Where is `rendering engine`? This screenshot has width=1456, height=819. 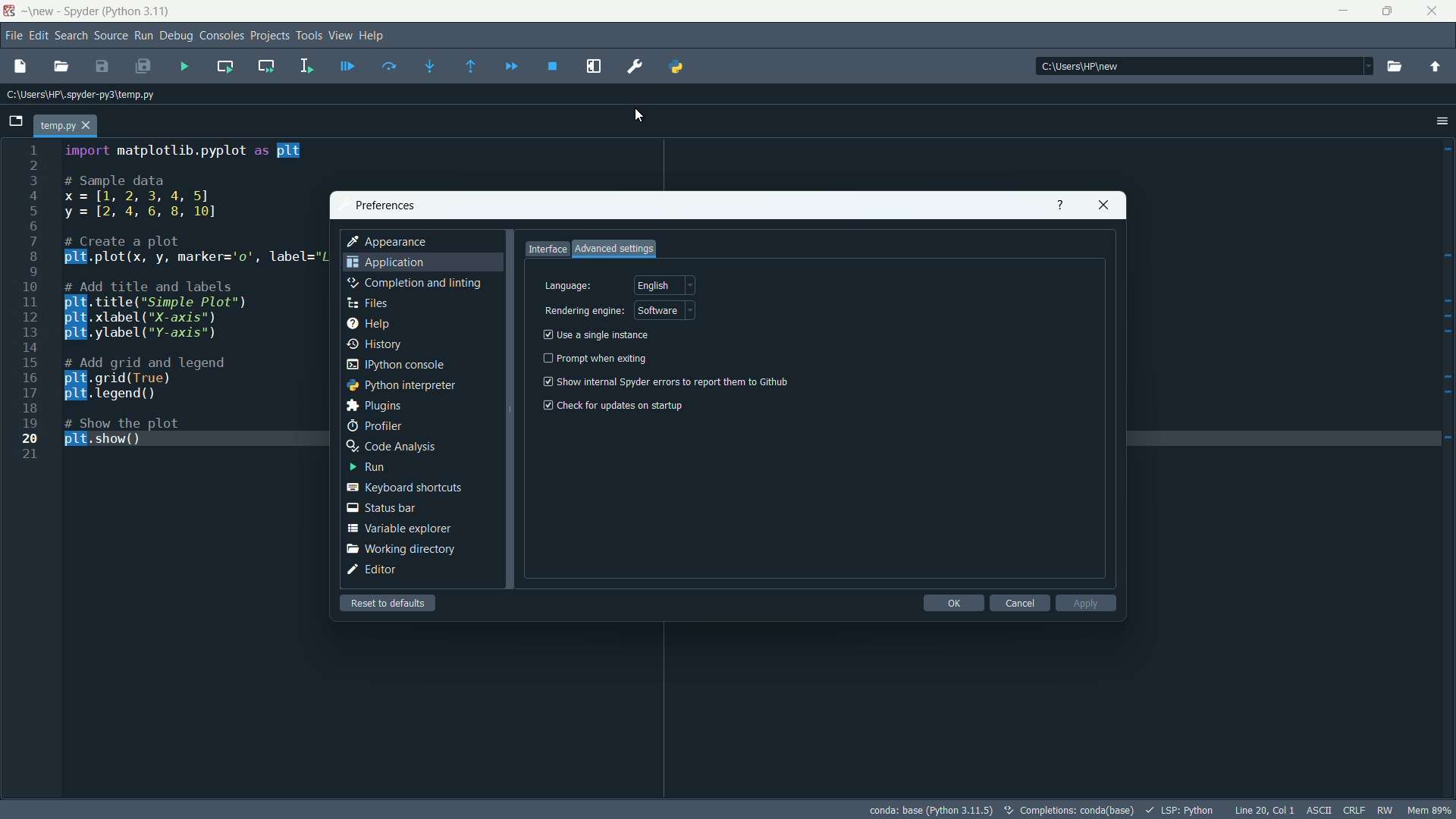
rendering engine is located at coordinates (584, 312).